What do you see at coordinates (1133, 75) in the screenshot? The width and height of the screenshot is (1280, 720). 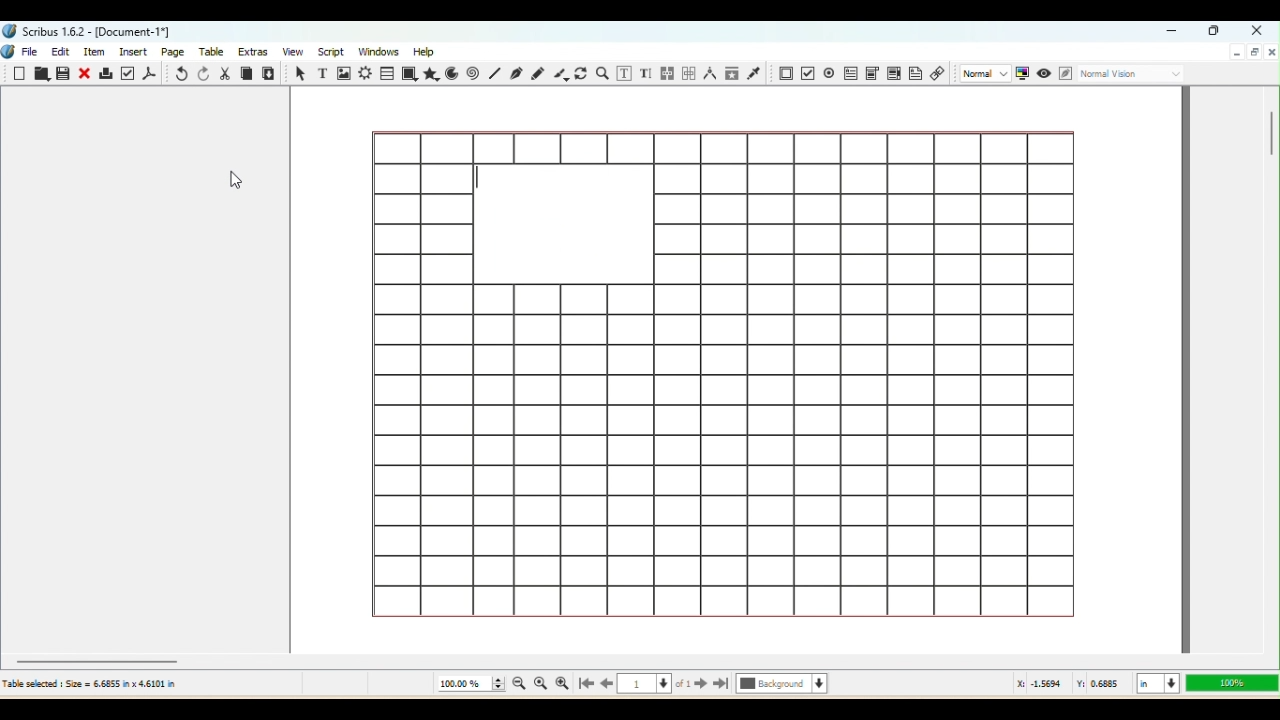 I see `Select the visual appearance of the display` at bounding box center [1133, 75].